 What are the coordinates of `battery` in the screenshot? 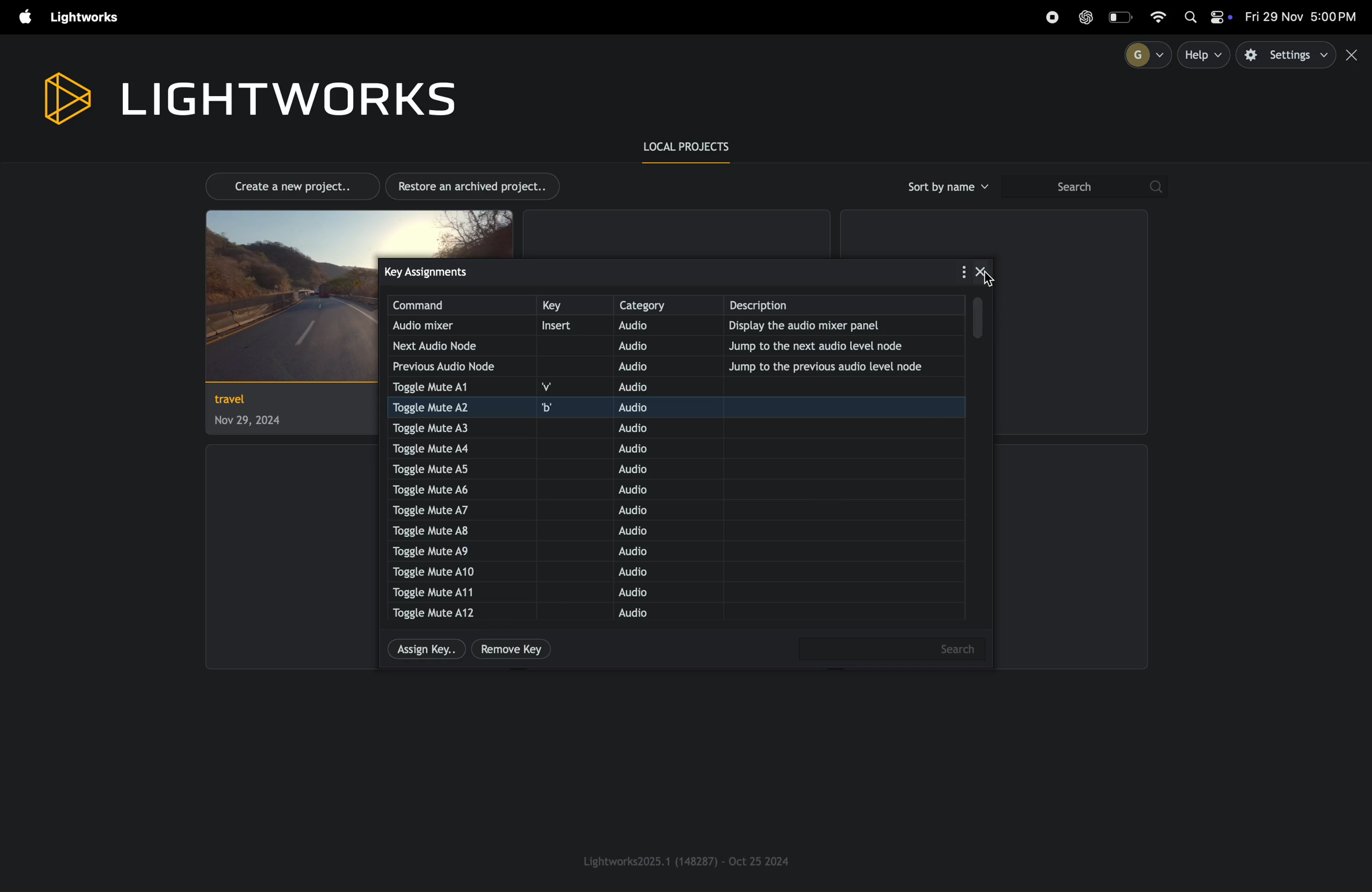 It's located at (1122, 17).